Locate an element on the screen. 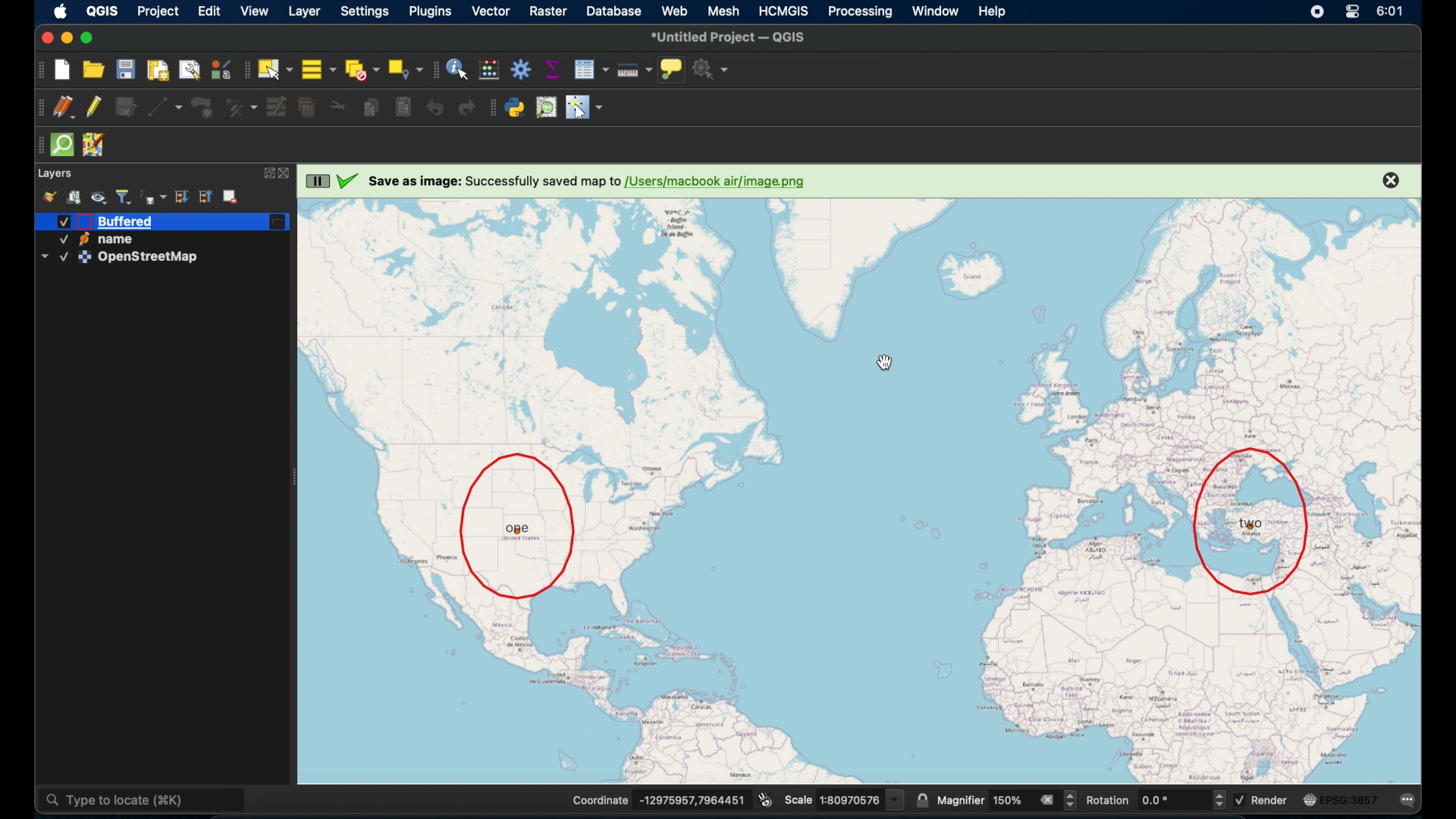  select all features is located at coordinates (317, 68).